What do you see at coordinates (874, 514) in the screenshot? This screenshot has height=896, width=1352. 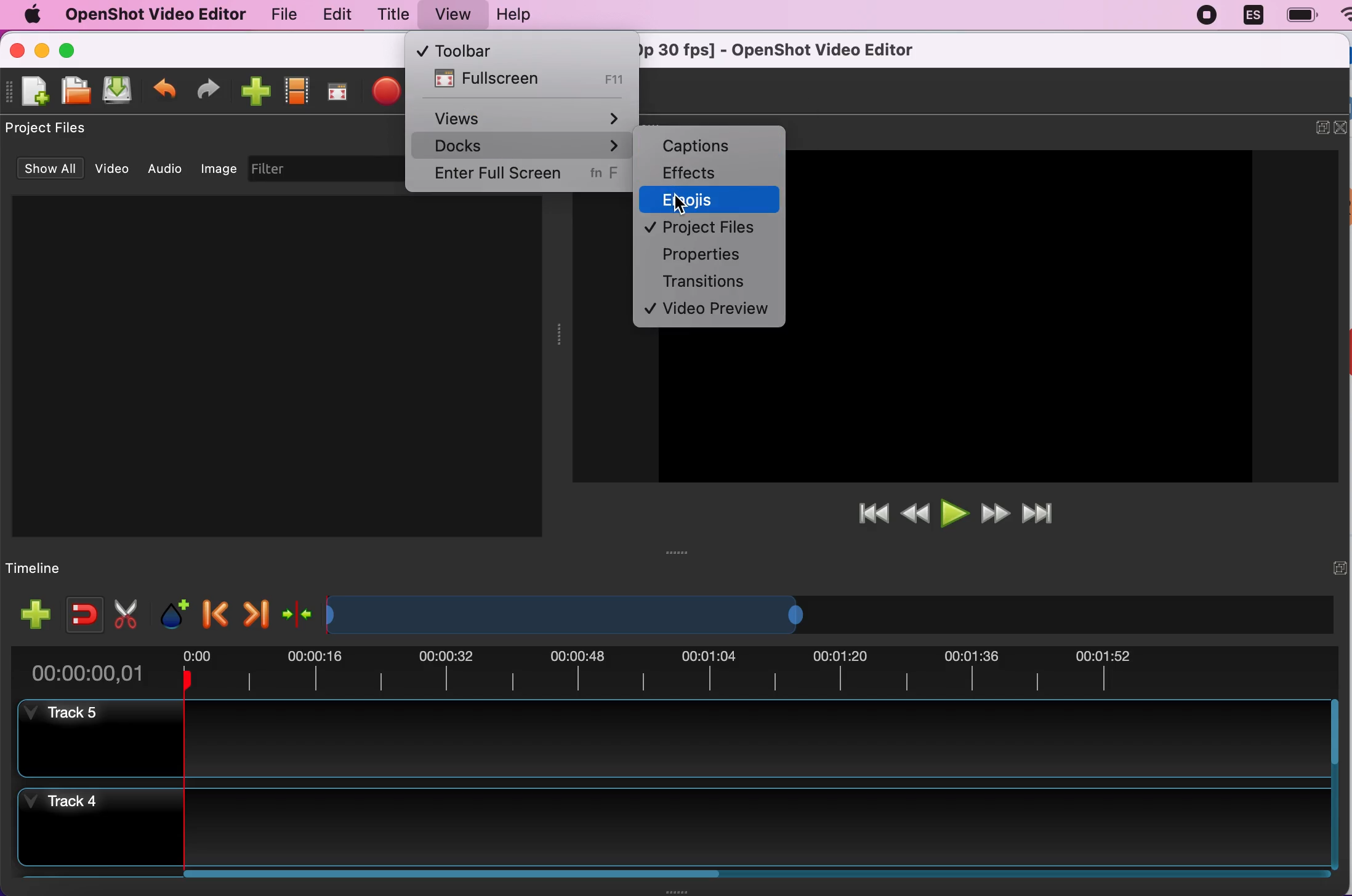 I see `jump to start` at bounding box center [874, 514].